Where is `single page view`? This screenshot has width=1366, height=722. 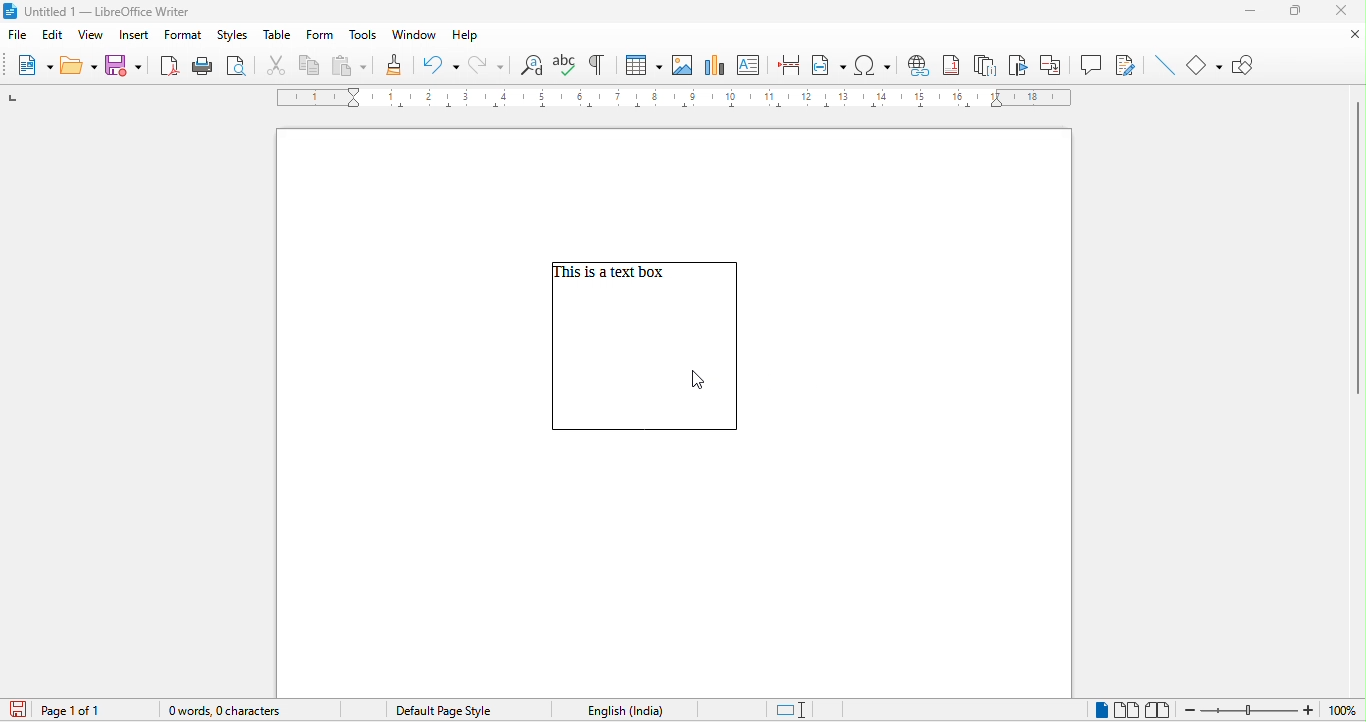
single page view is located at coordinates (1096, 710).